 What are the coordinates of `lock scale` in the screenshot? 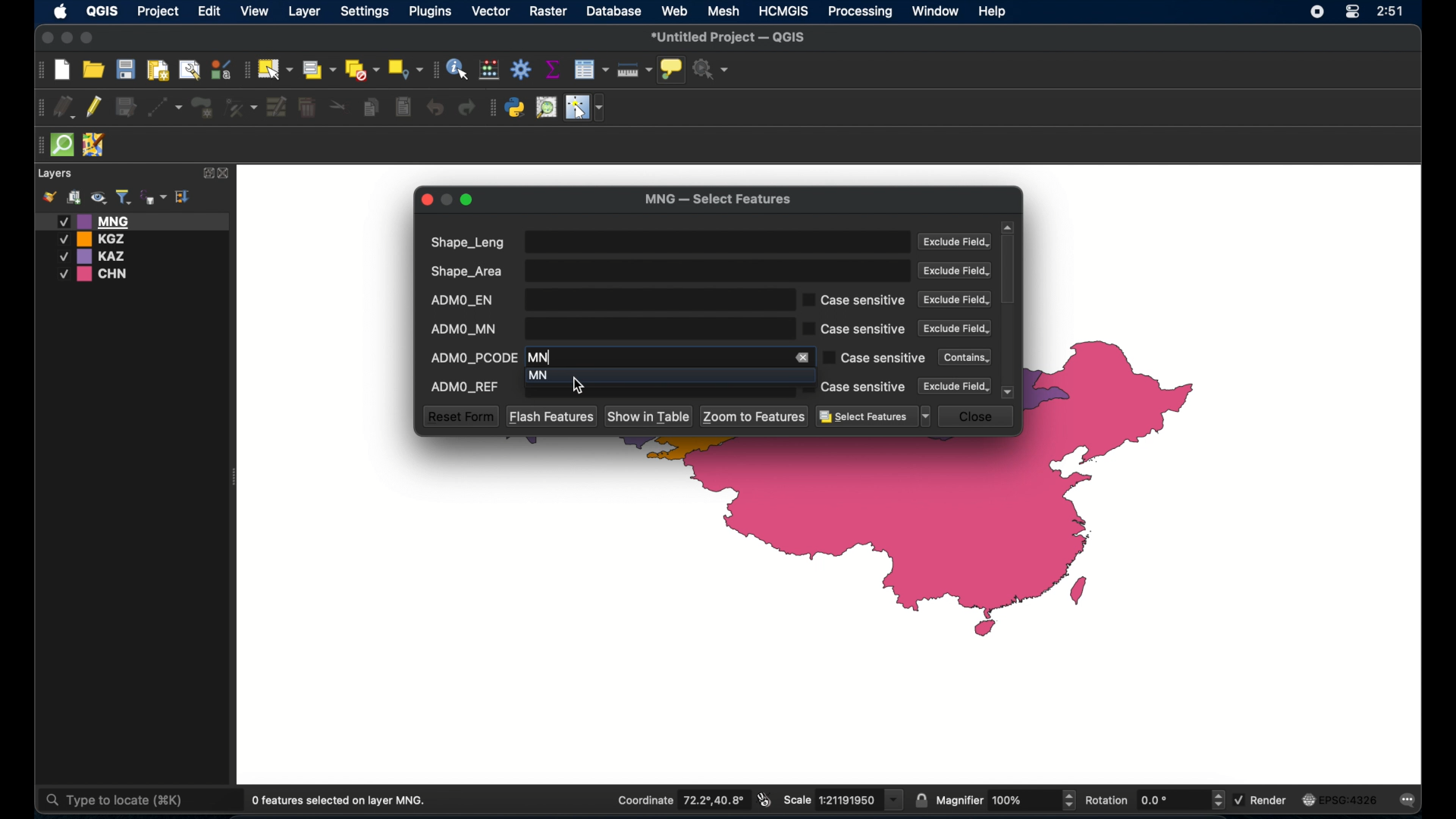 It's located at (921, 801).